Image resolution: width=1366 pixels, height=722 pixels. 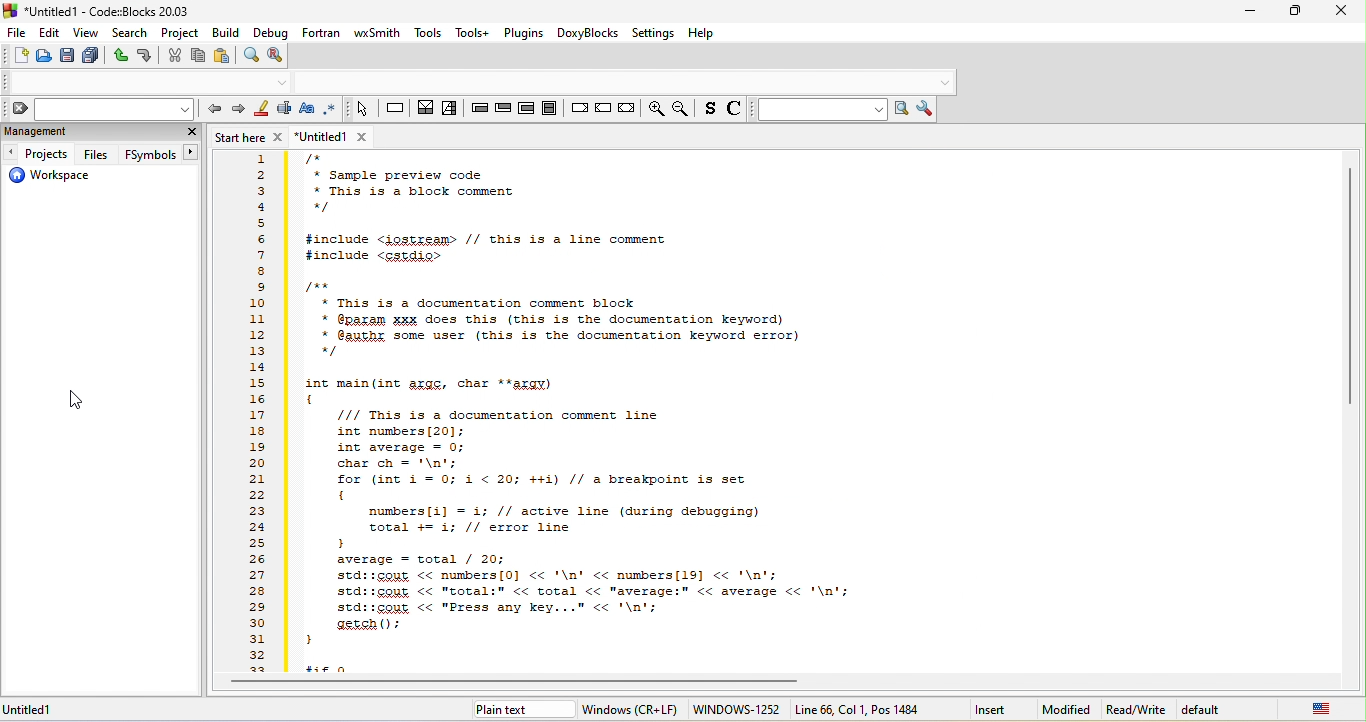 I want to click on entry, so click(x=480, y=111).